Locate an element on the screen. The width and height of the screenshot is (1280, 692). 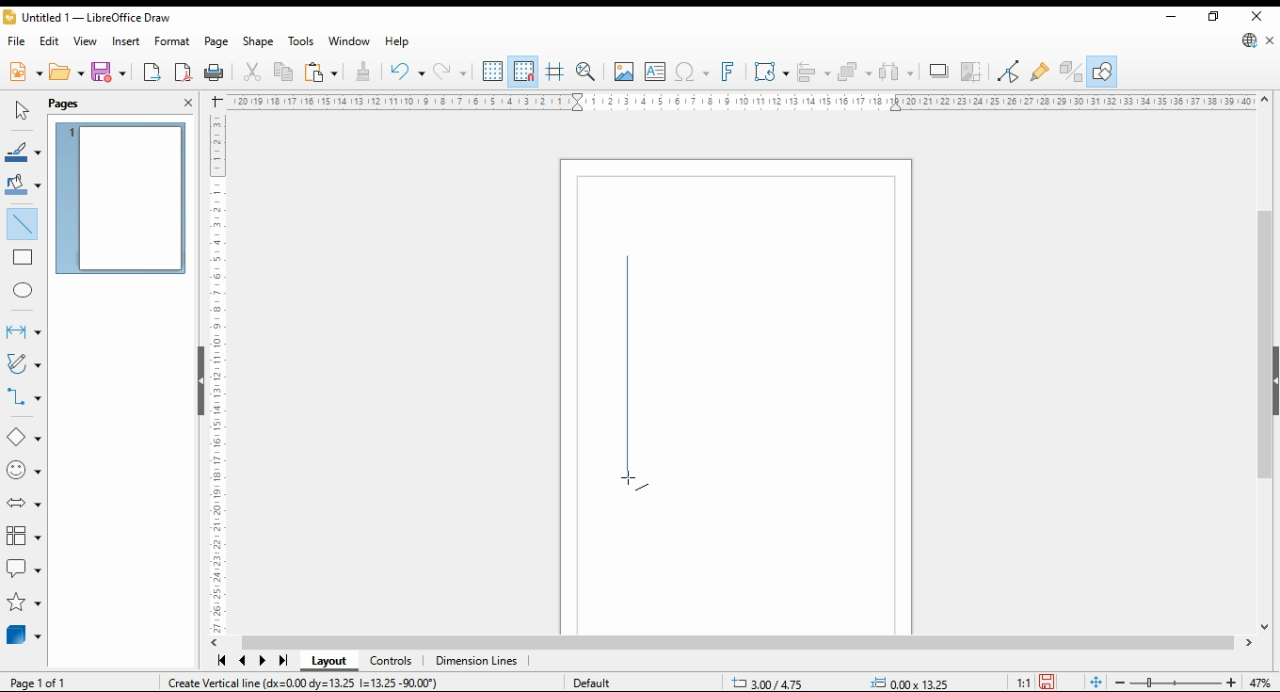
page is located at coordinates (216, 42).